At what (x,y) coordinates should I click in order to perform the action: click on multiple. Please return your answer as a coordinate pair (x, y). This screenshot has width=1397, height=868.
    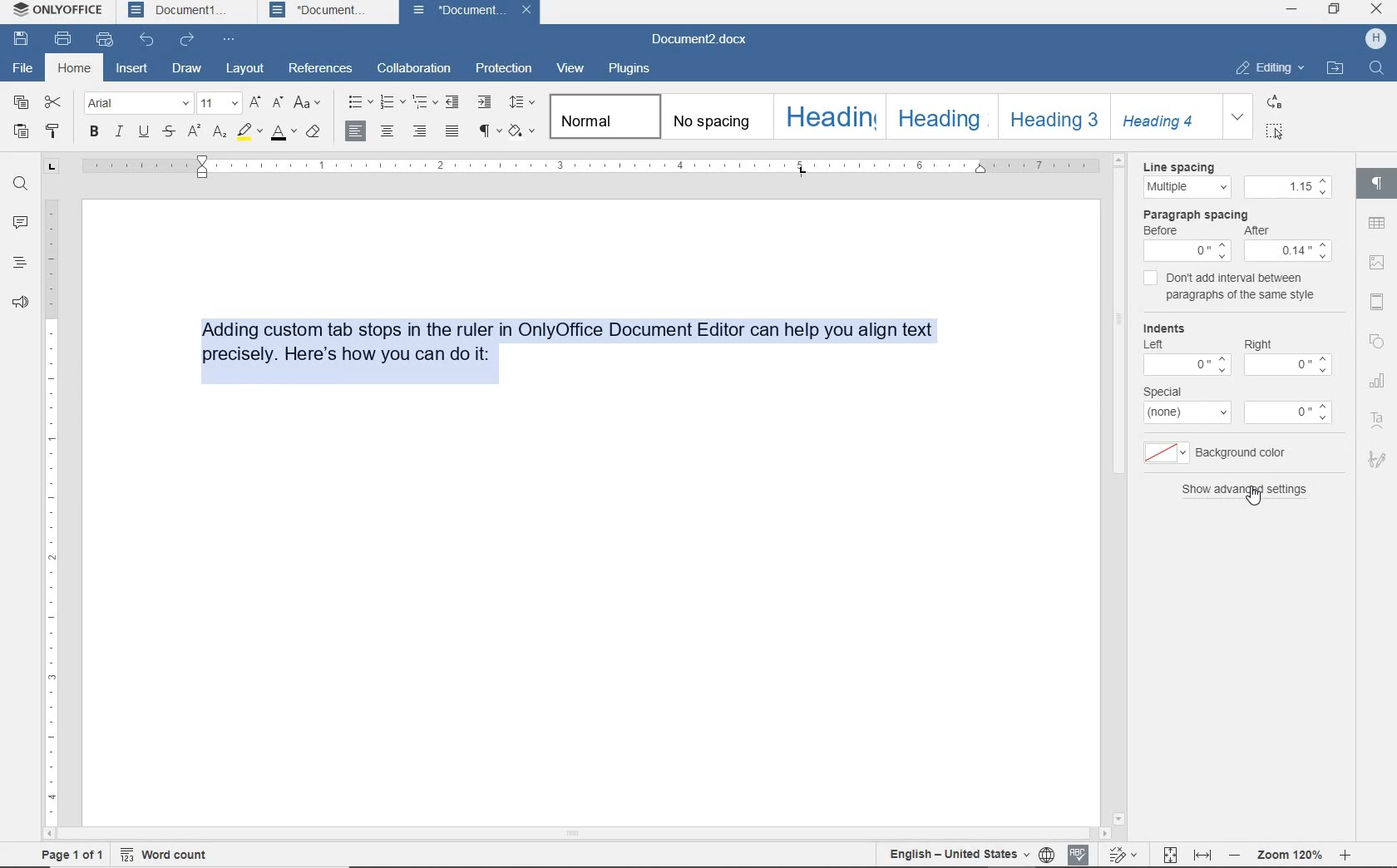
    Looking at the image, I should click on (1186, 187).